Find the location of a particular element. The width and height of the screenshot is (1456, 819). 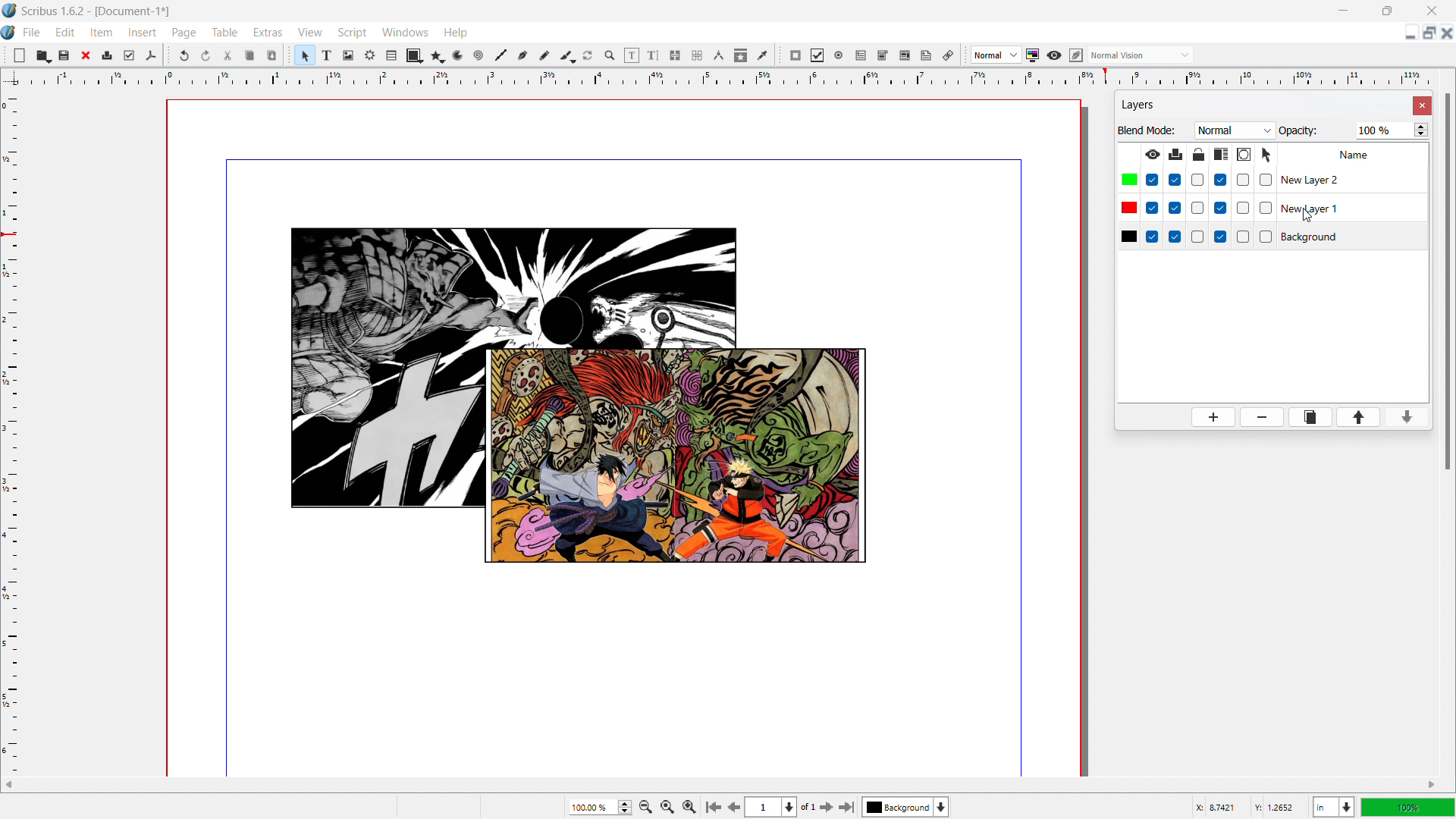

undo is located at coordinates (184, 55).